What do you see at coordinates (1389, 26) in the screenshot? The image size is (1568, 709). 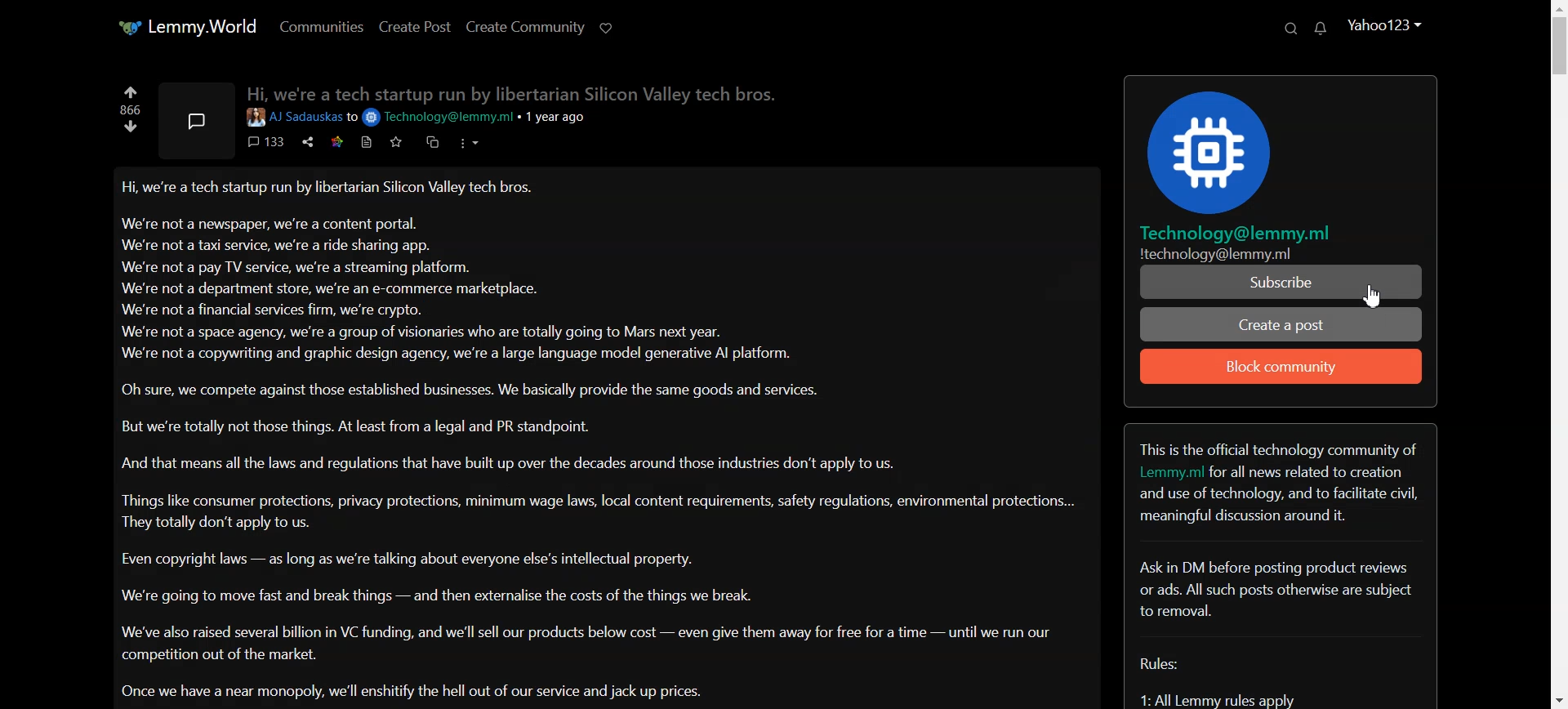 I see `Account` at bounding box center [1389, 26].